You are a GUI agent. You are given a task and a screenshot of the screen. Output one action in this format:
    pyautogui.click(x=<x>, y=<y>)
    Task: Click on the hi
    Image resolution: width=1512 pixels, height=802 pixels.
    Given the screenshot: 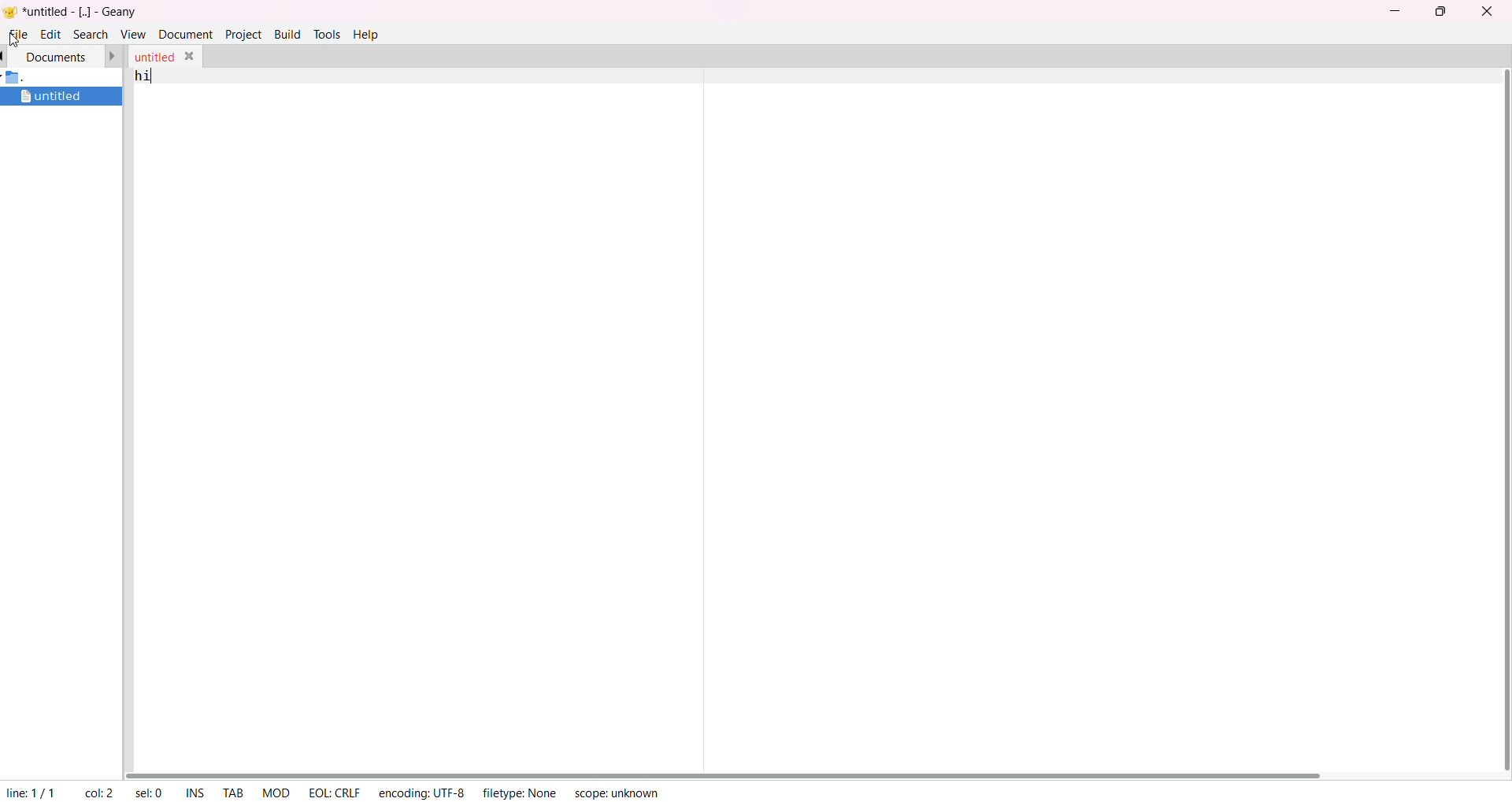 What is the action you would take?
    pyautogui.click(x=143, y=75)
    